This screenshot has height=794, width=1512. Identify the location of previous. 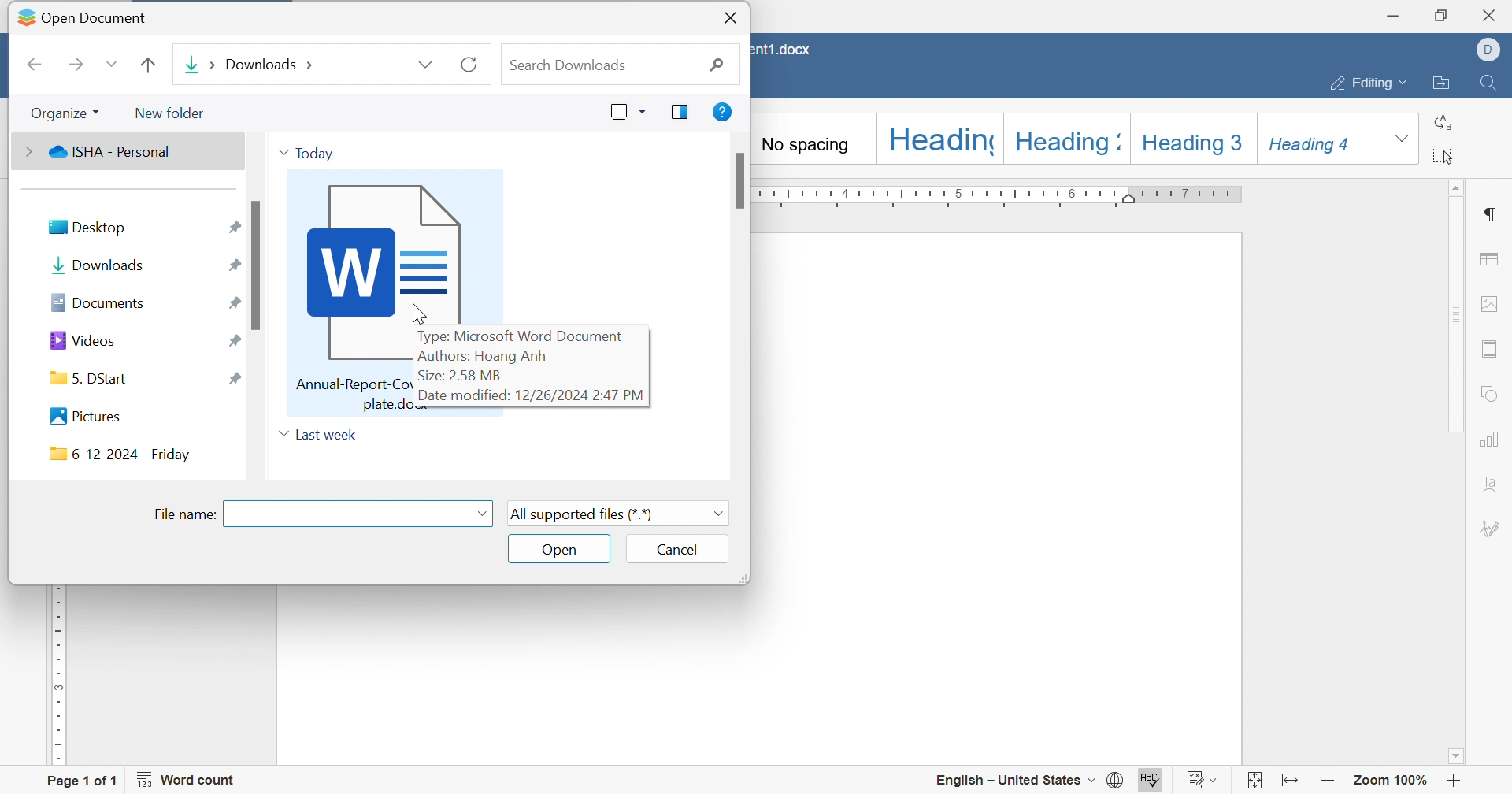
(39, 66).